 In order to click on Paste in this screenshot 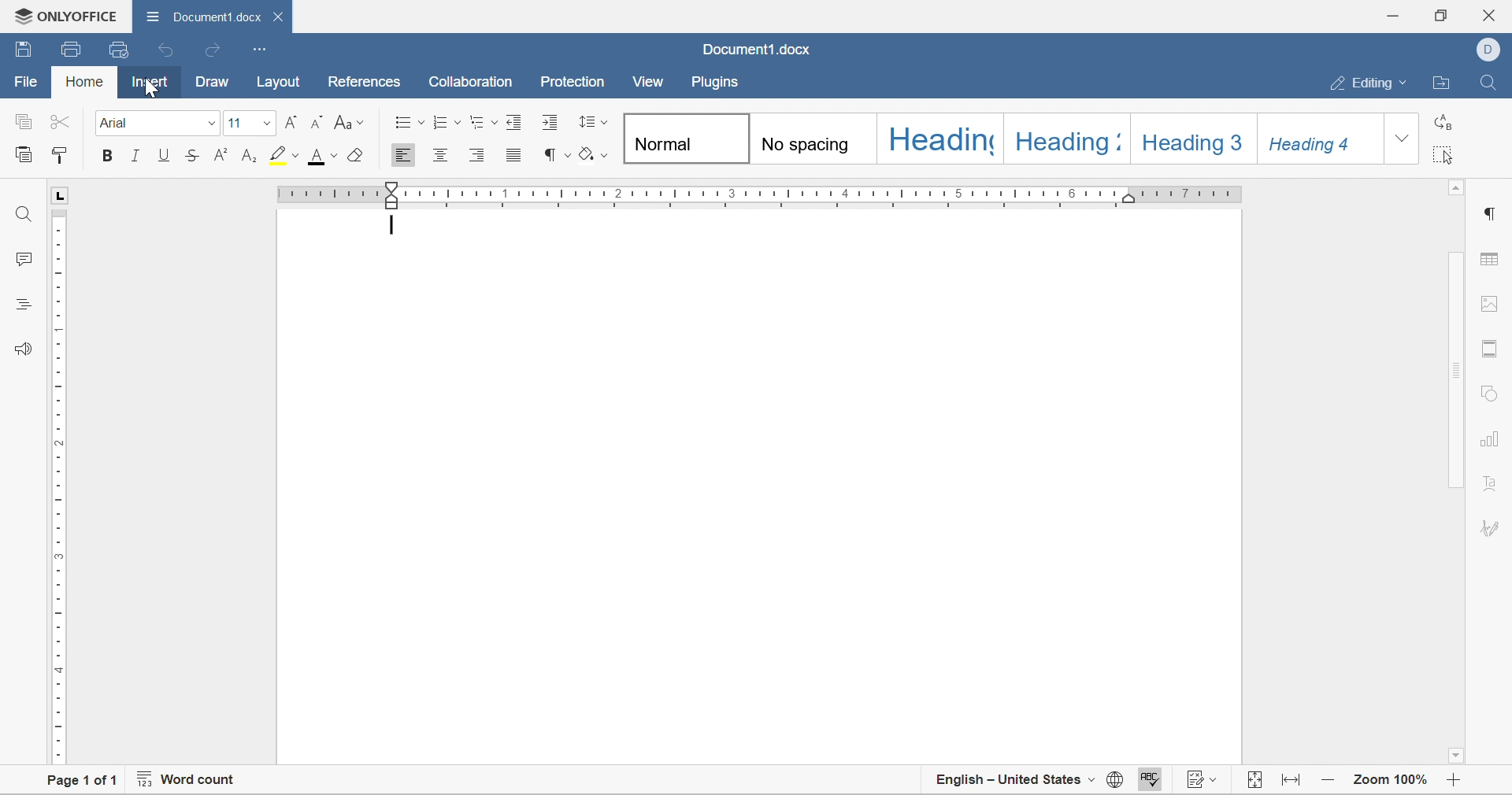, I will do `click(25, 157)`.